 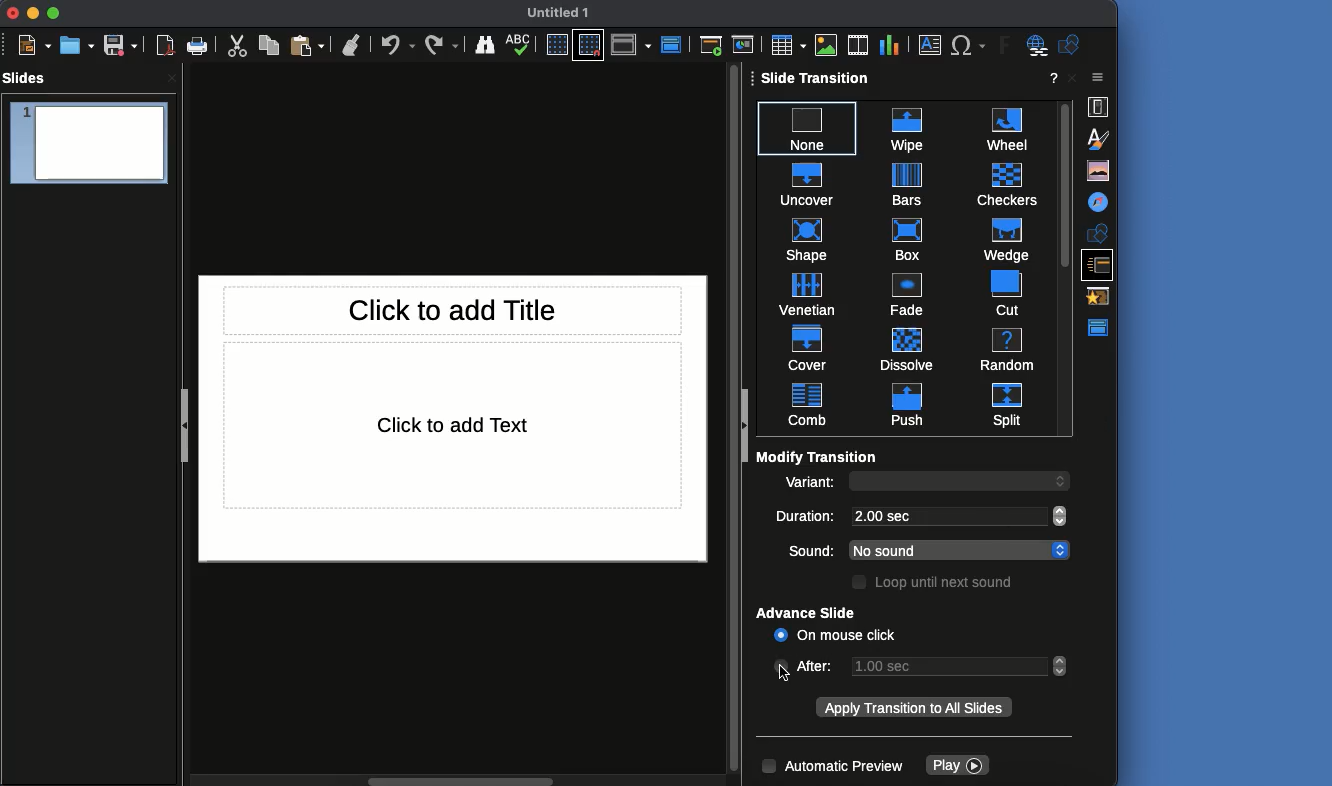 I want to click on none, so click(x=808, y=123).